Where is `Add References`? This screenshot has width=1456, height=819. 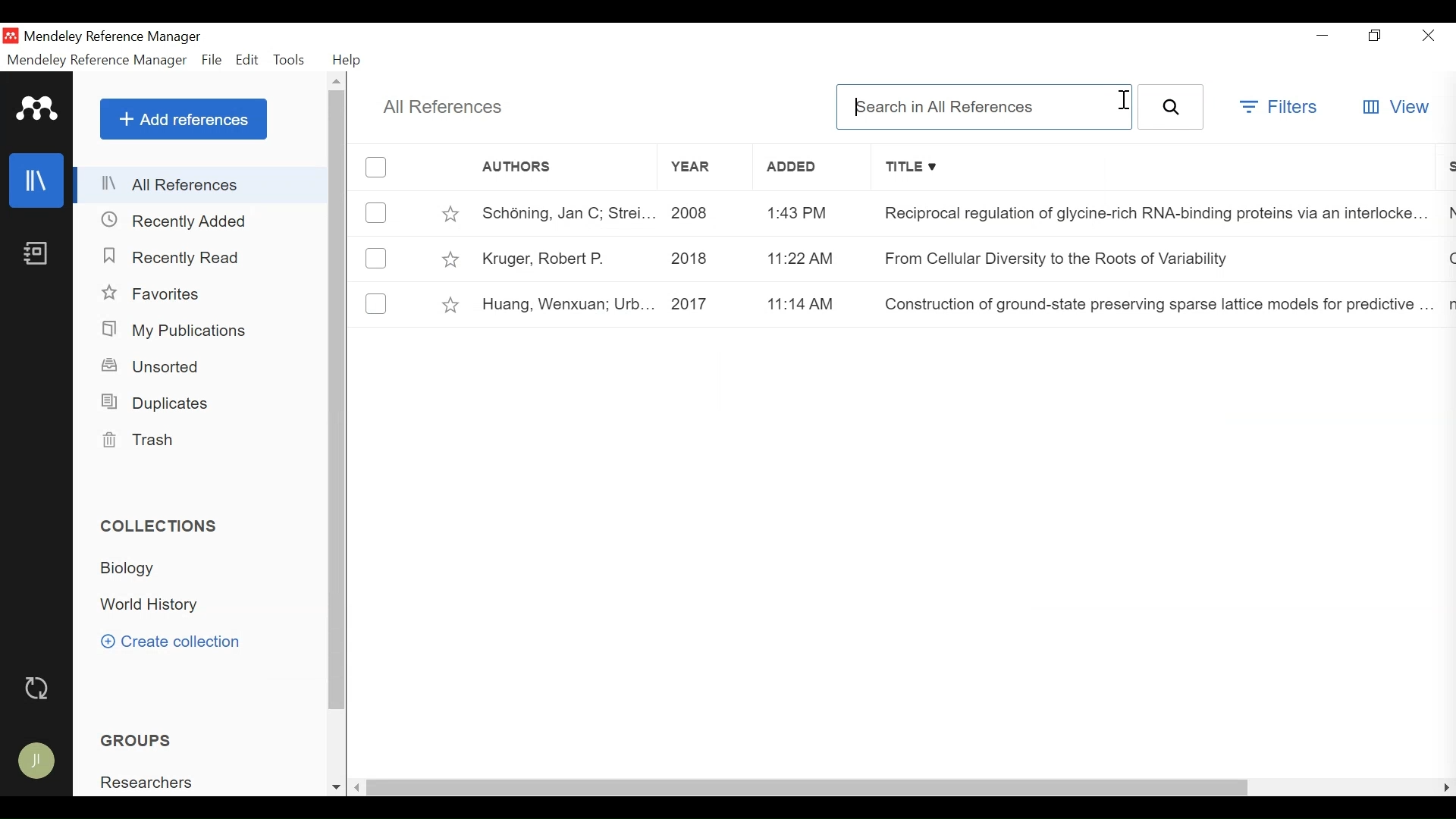
Add References is located at coordinates (184, 118).